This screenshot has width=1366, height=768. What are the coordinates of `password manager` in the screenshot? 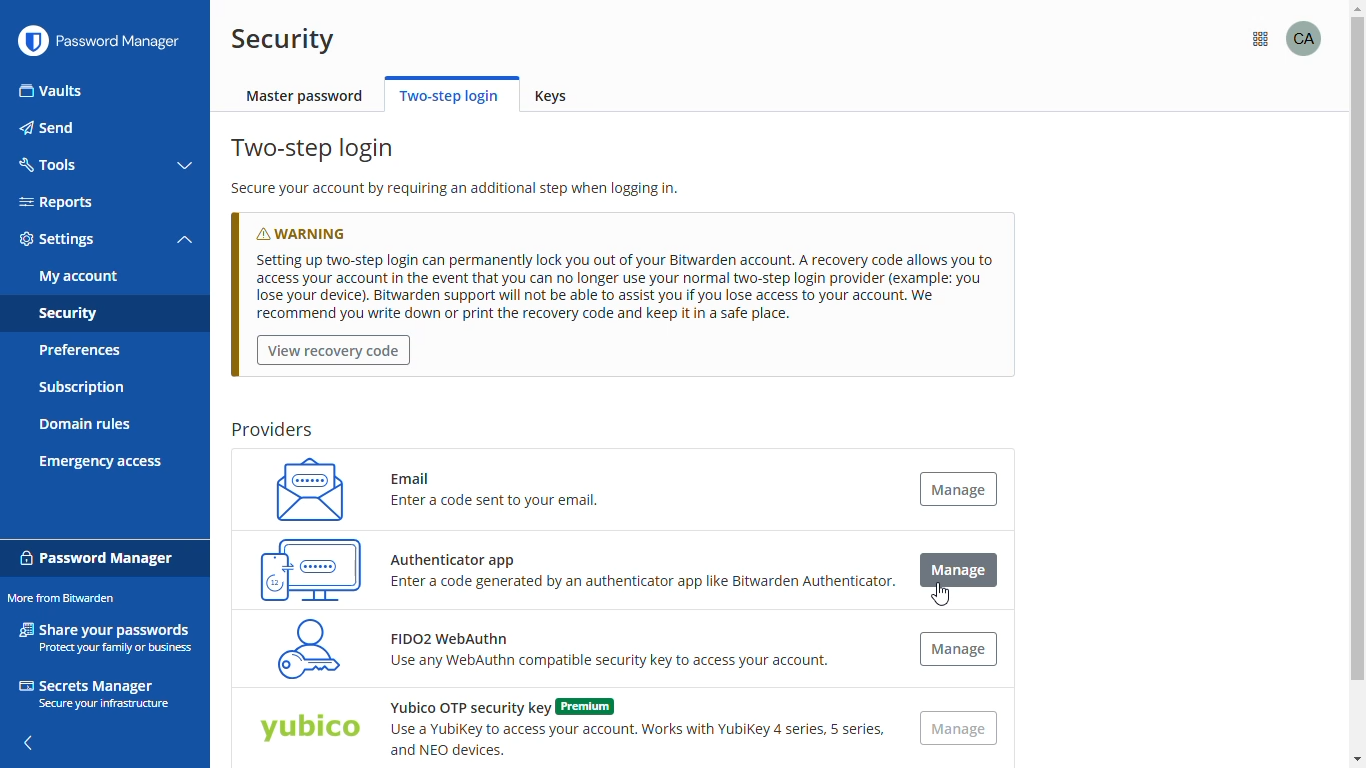 It's located at (126, 41).